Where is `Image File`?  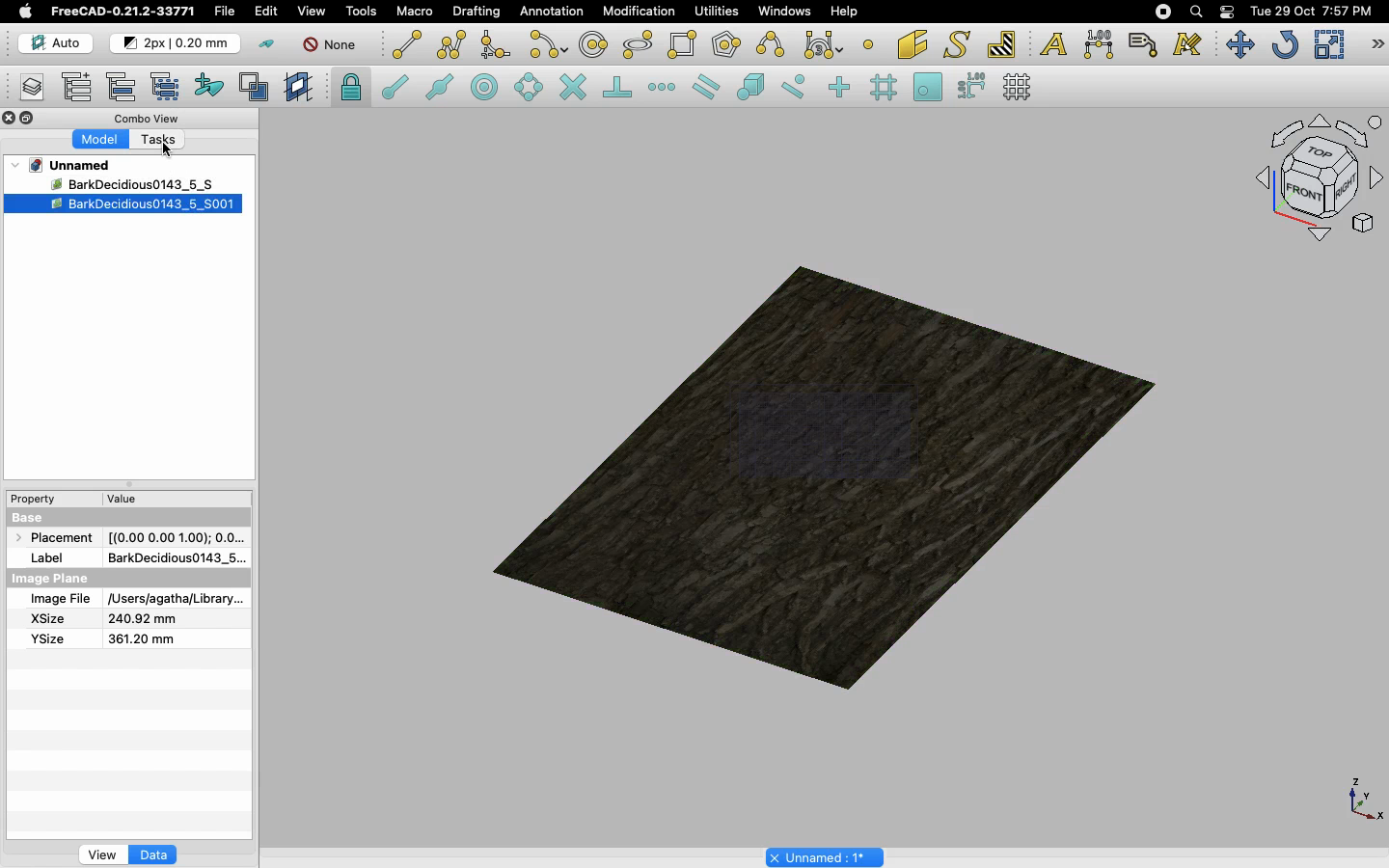
Image File is located at coordinates (60, 600).